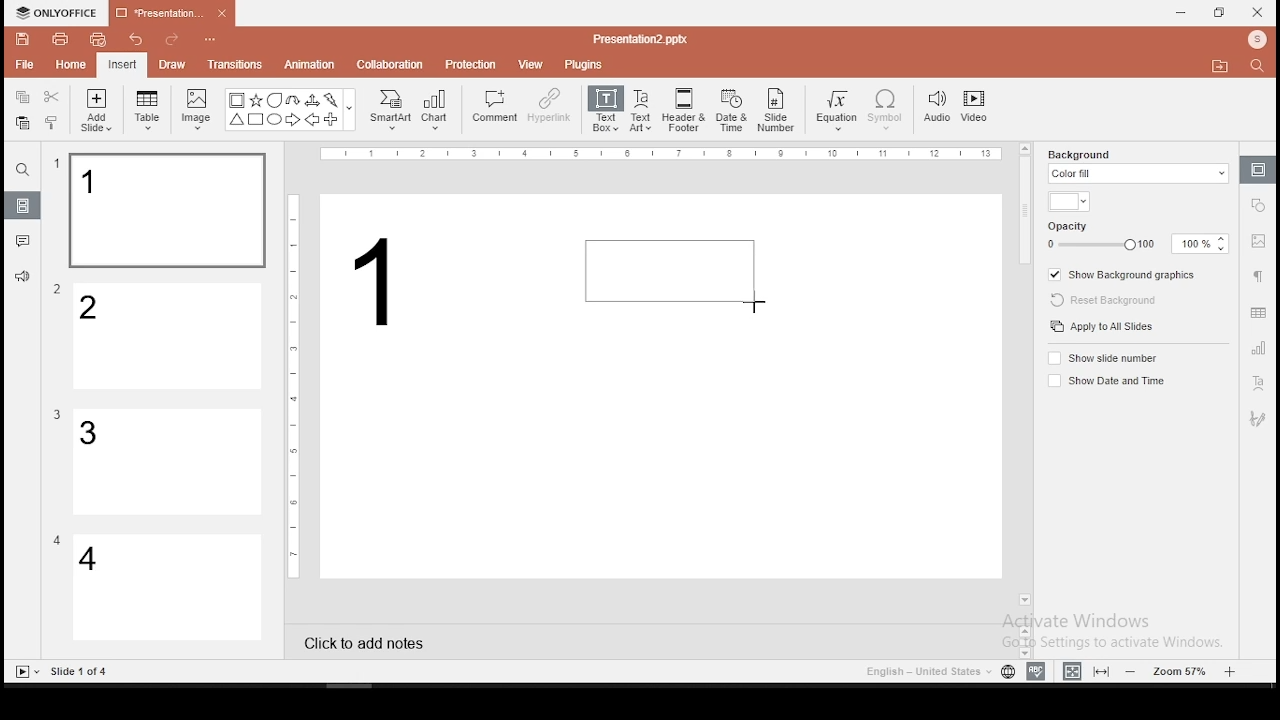  I want to click on symbol, so click(885, 111).